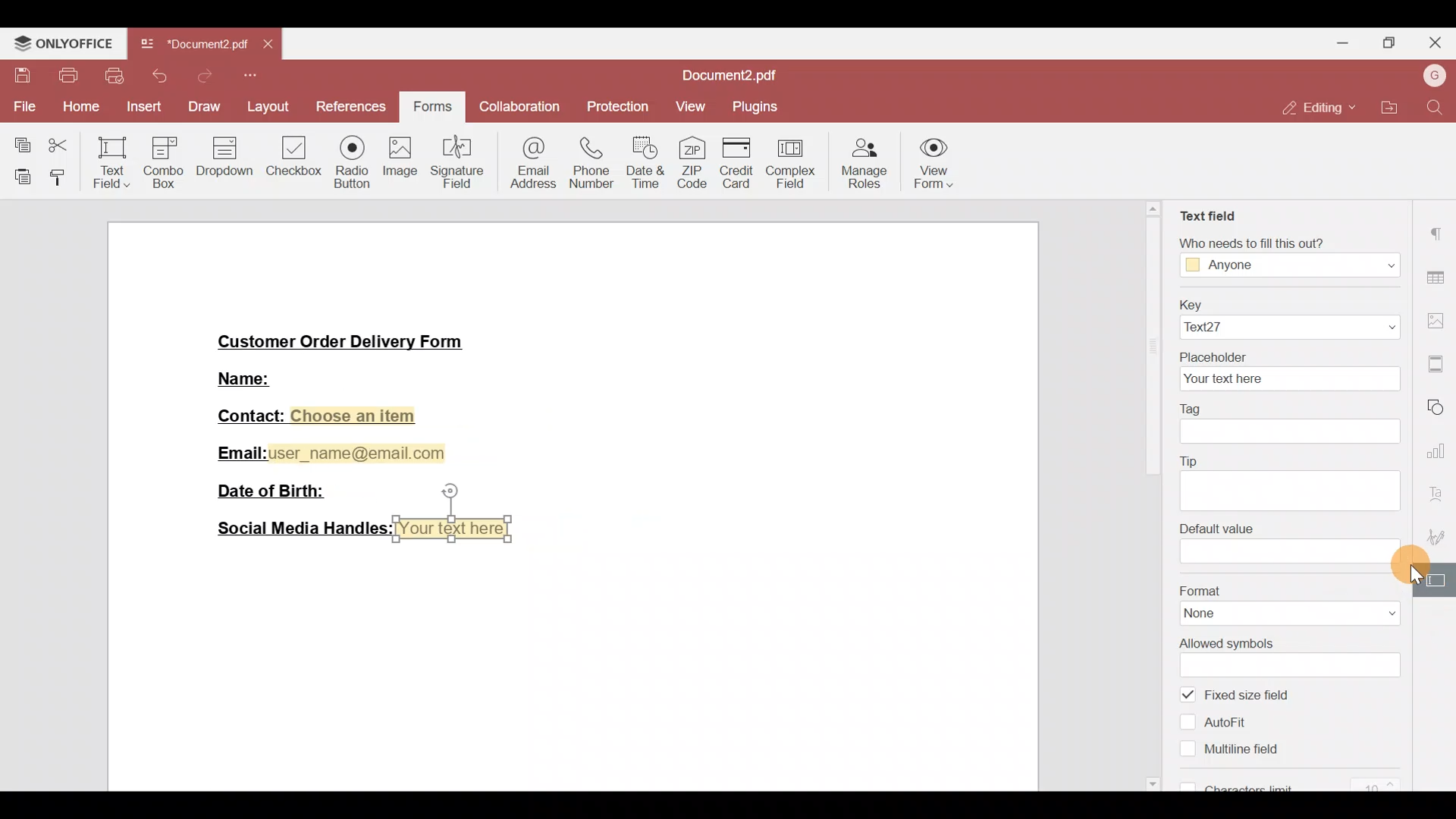 Image resolution: width=1456 pixels, height=819 pixels. I want to click on Insert, so click(142, 108).